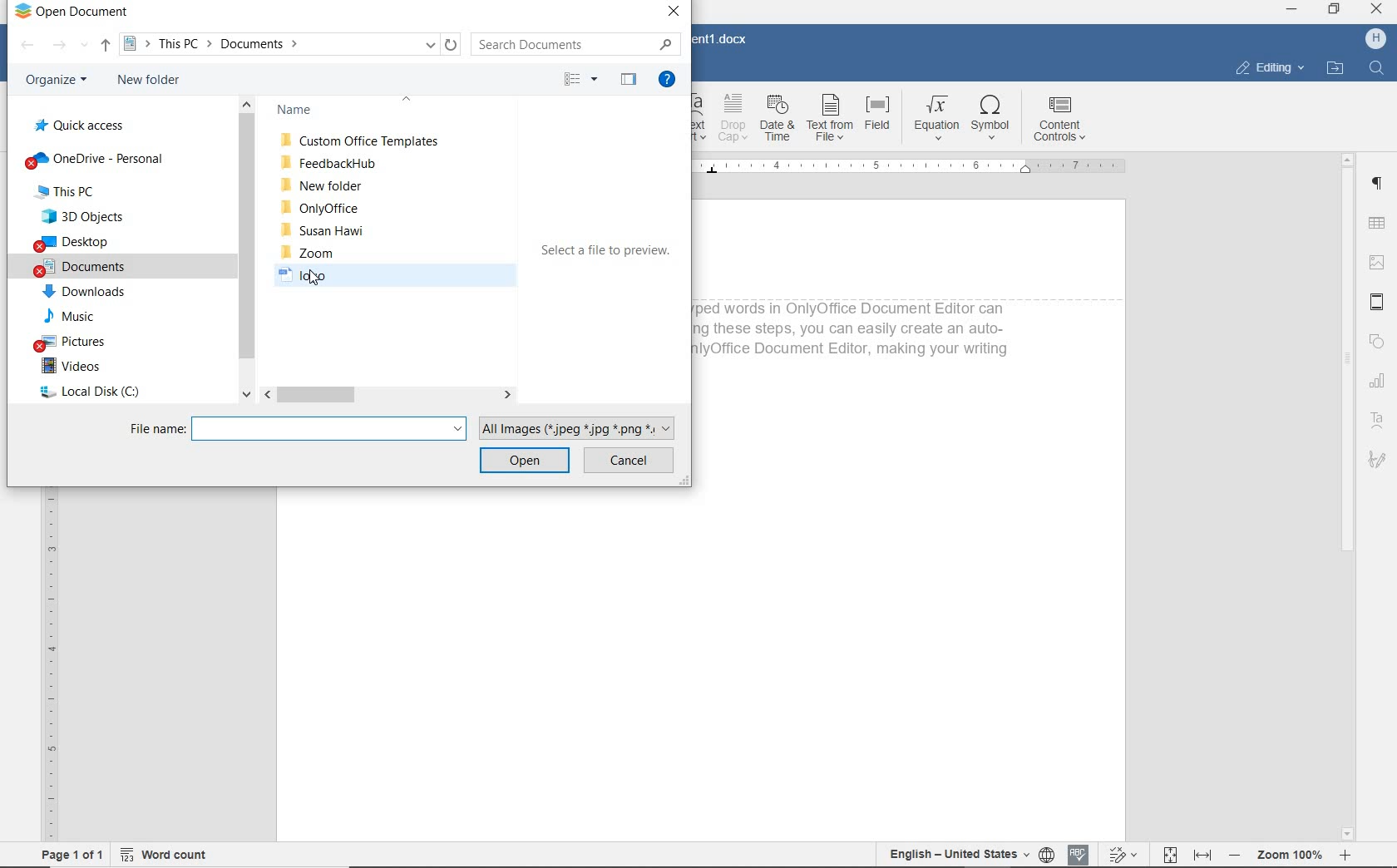 The image size is (1397, 868). Describe the element at coordinates (313, 280) in the screenshot. I see `Cursor` at that location.